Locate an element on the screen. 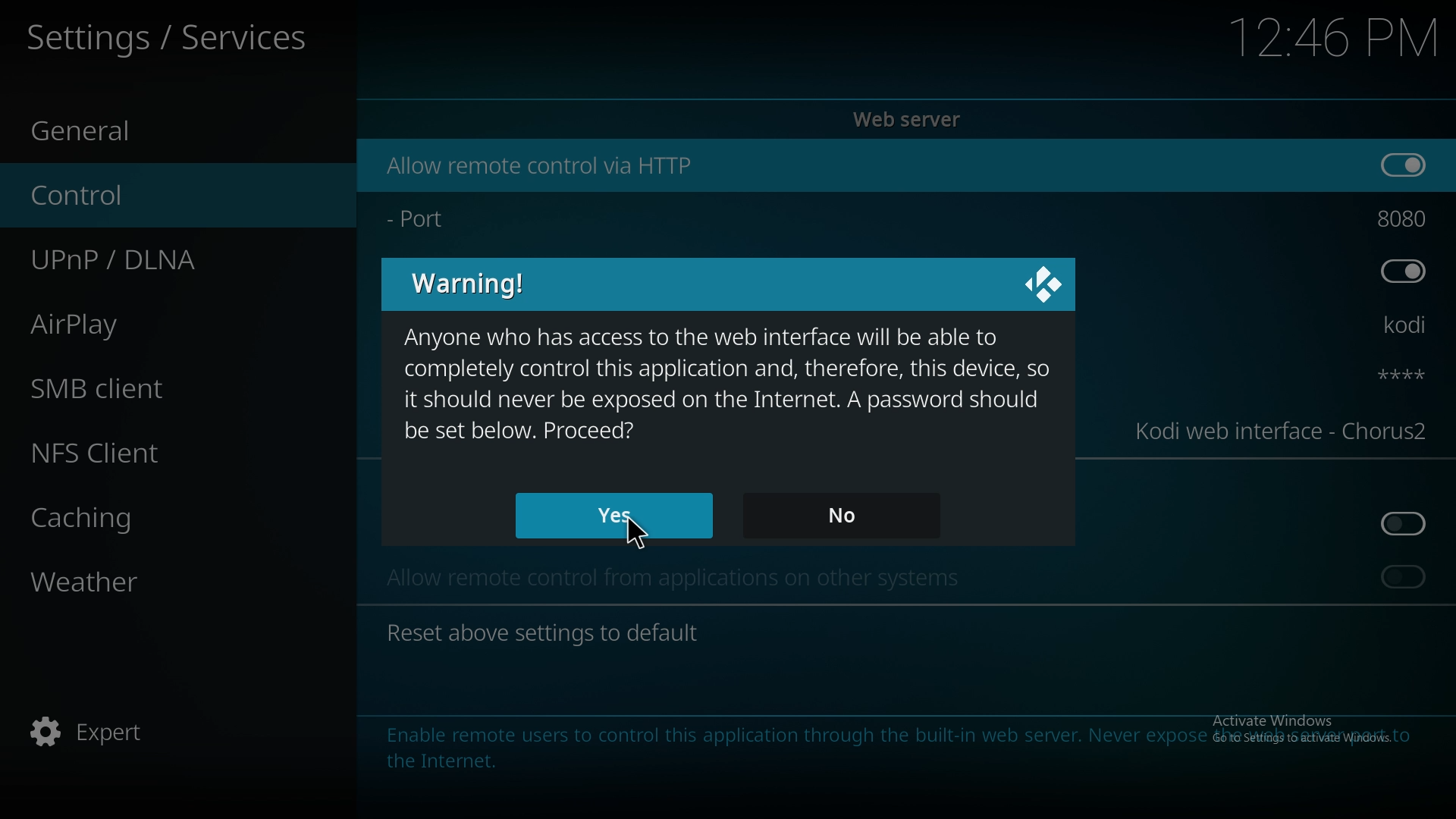 The image size is (1456, 819). on is located at coordinates (1407, 163).